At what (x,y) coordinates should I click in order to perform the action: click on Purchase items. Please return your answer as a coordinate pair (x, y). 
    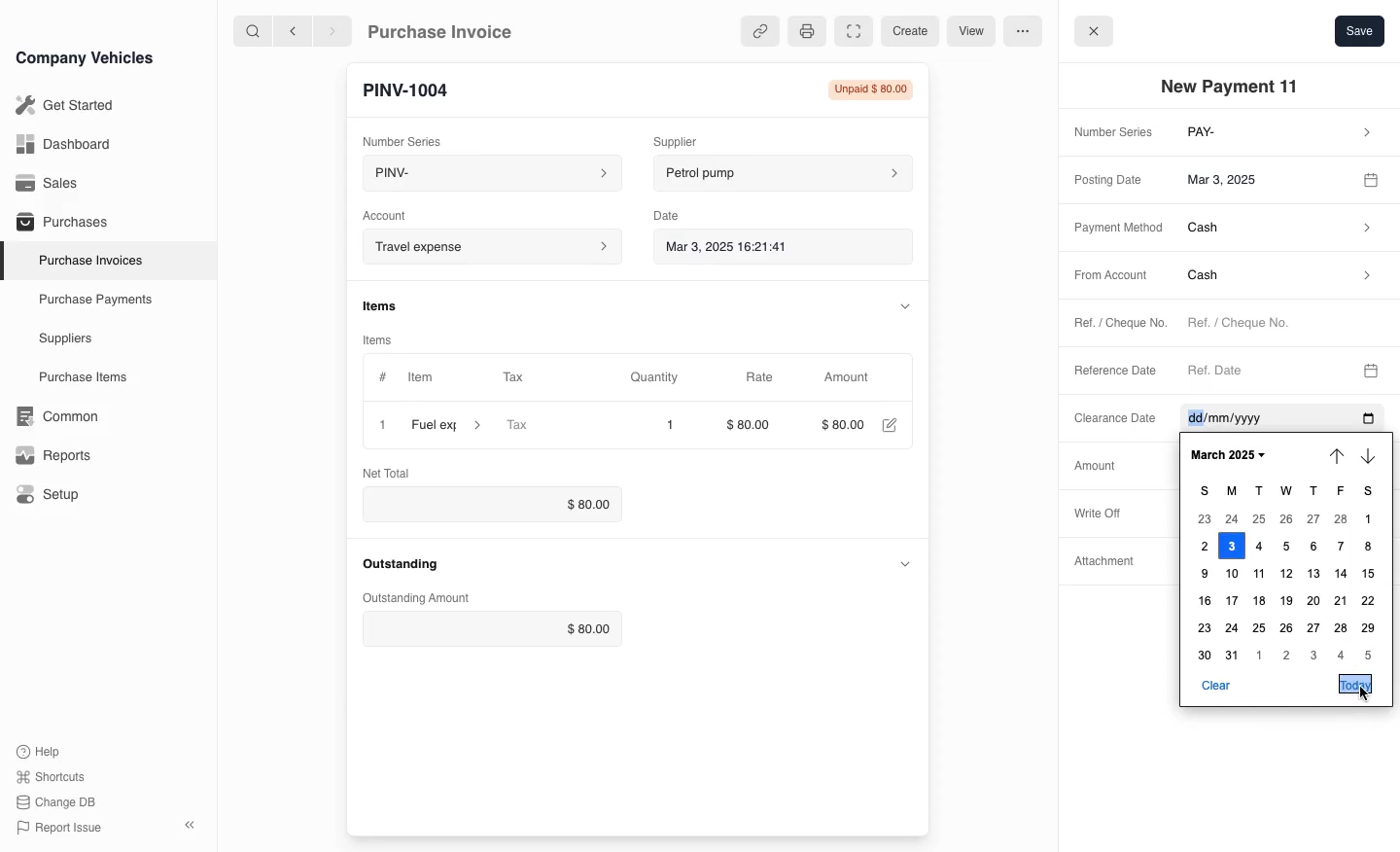
    Looking at the image, I should click on (76, 377).